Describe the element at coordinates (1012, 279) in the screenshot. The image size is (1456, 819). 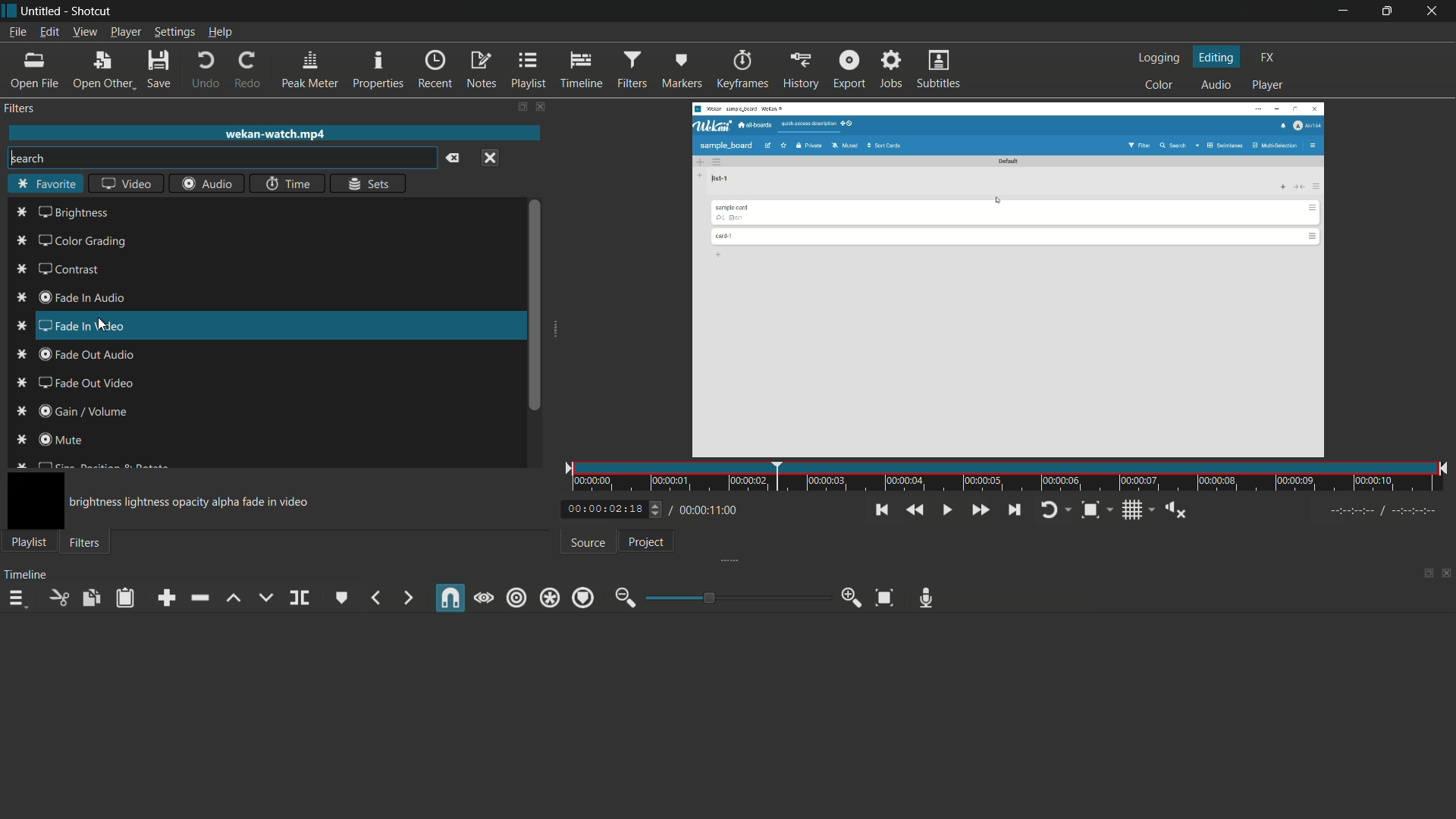
I see `imported video` at that location.